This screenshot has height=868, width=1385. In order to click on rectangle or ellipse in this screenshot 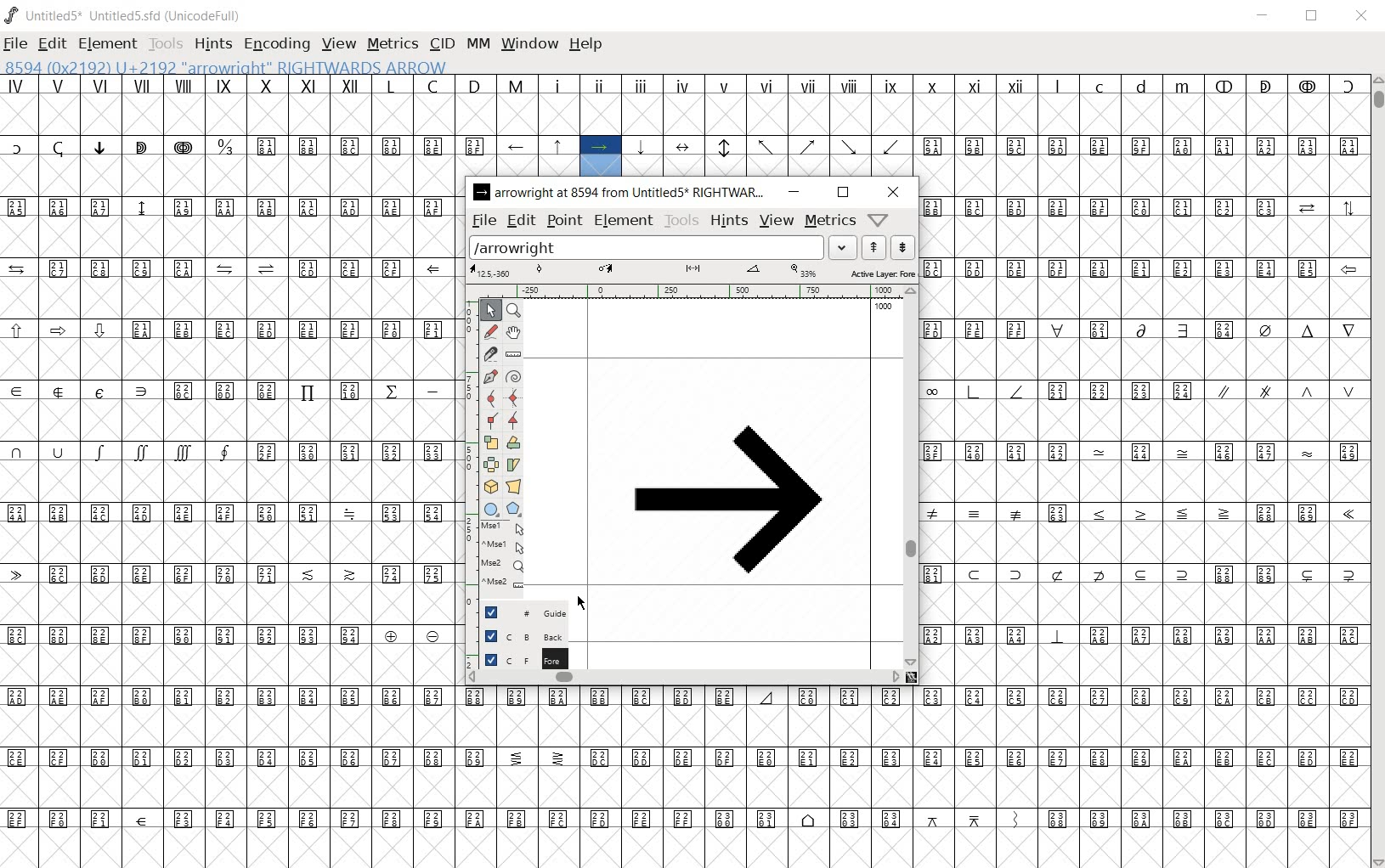, I will do `click(491, 509)`.